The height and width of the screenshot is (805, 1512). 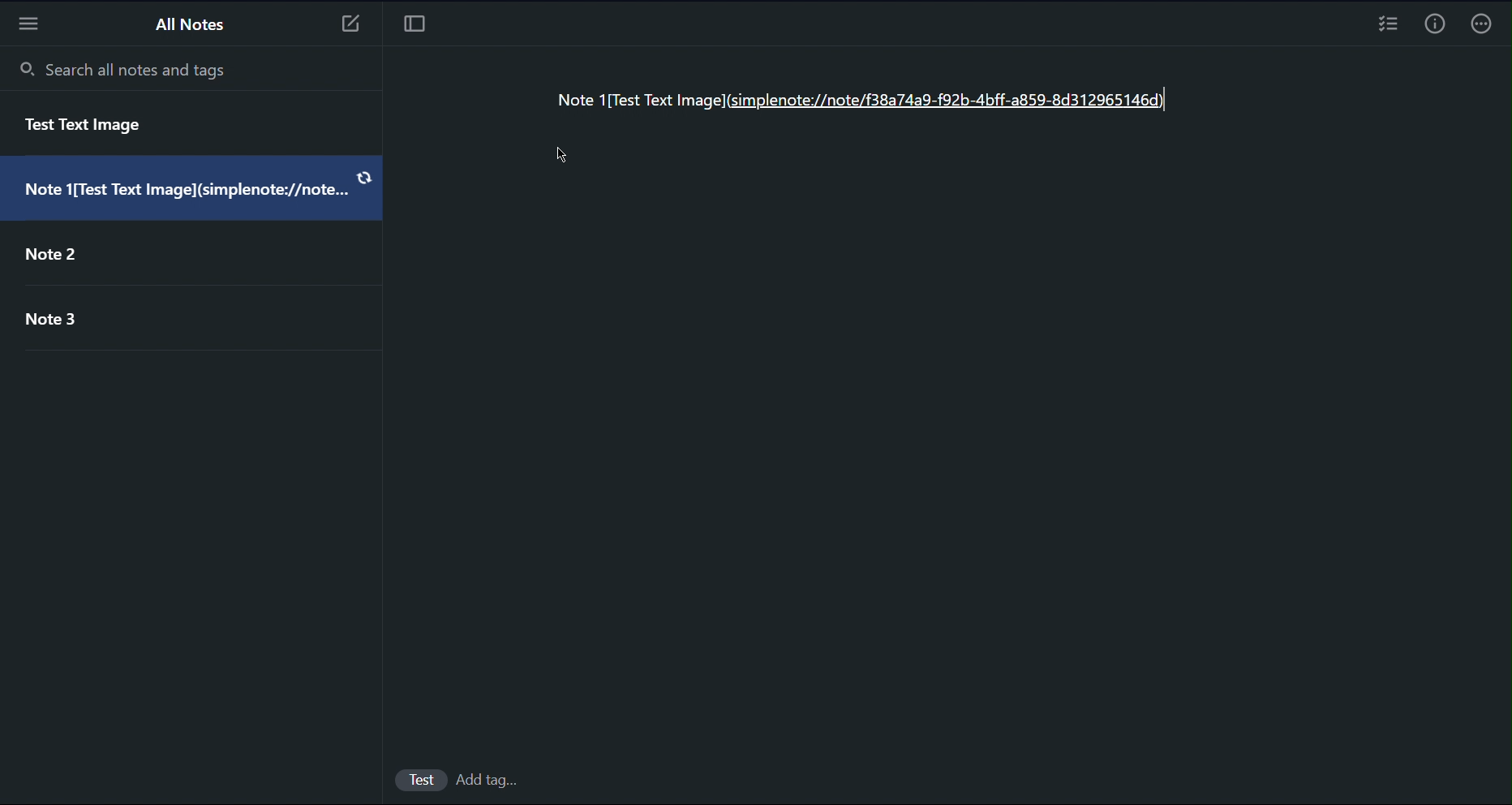 What do you see at coordinates (32, 24) in the screenshot?
I see `More` at bounding box center [32, 24].